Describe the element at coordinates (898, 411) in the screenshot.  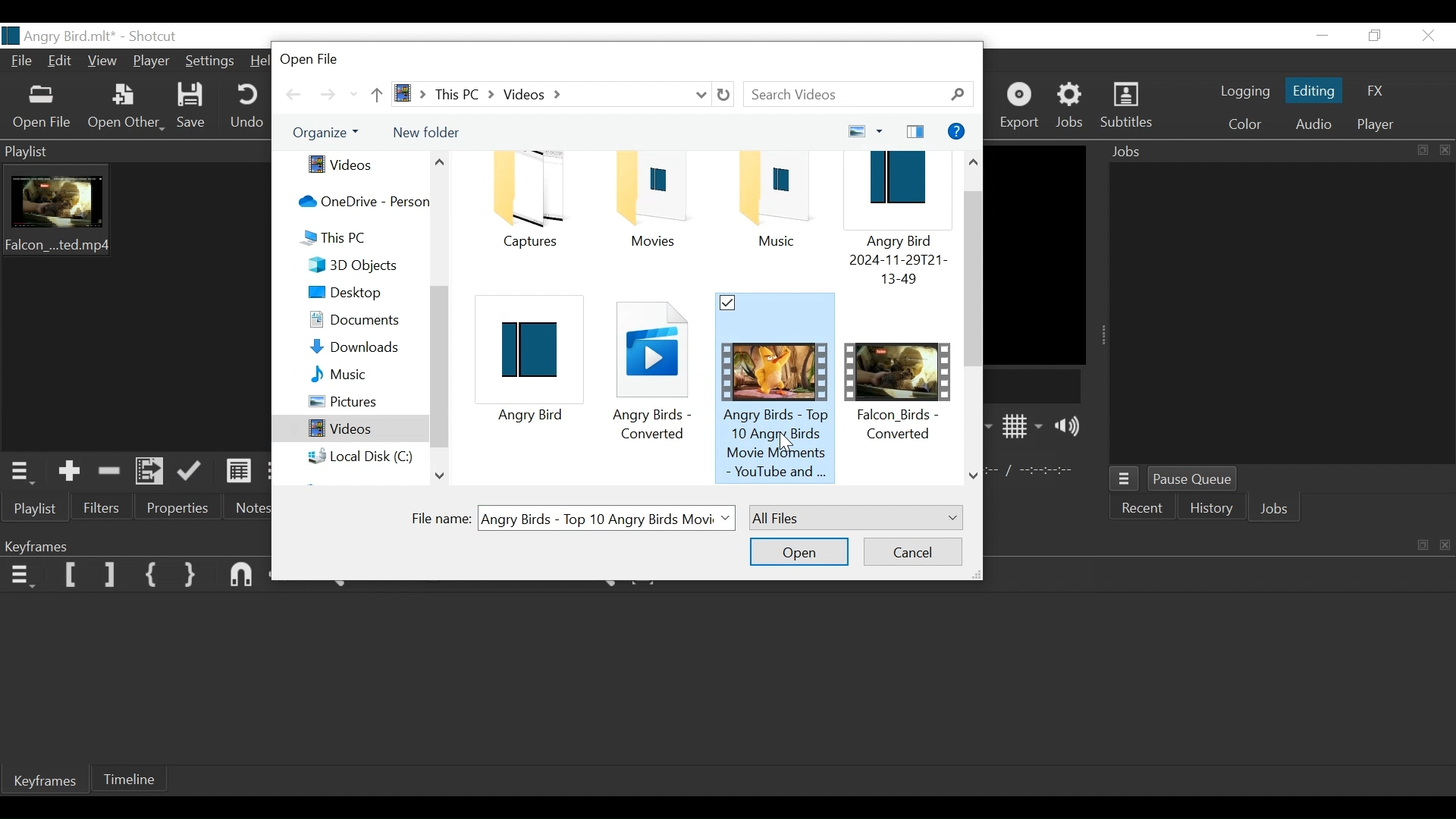
I see `Video File` at that location.